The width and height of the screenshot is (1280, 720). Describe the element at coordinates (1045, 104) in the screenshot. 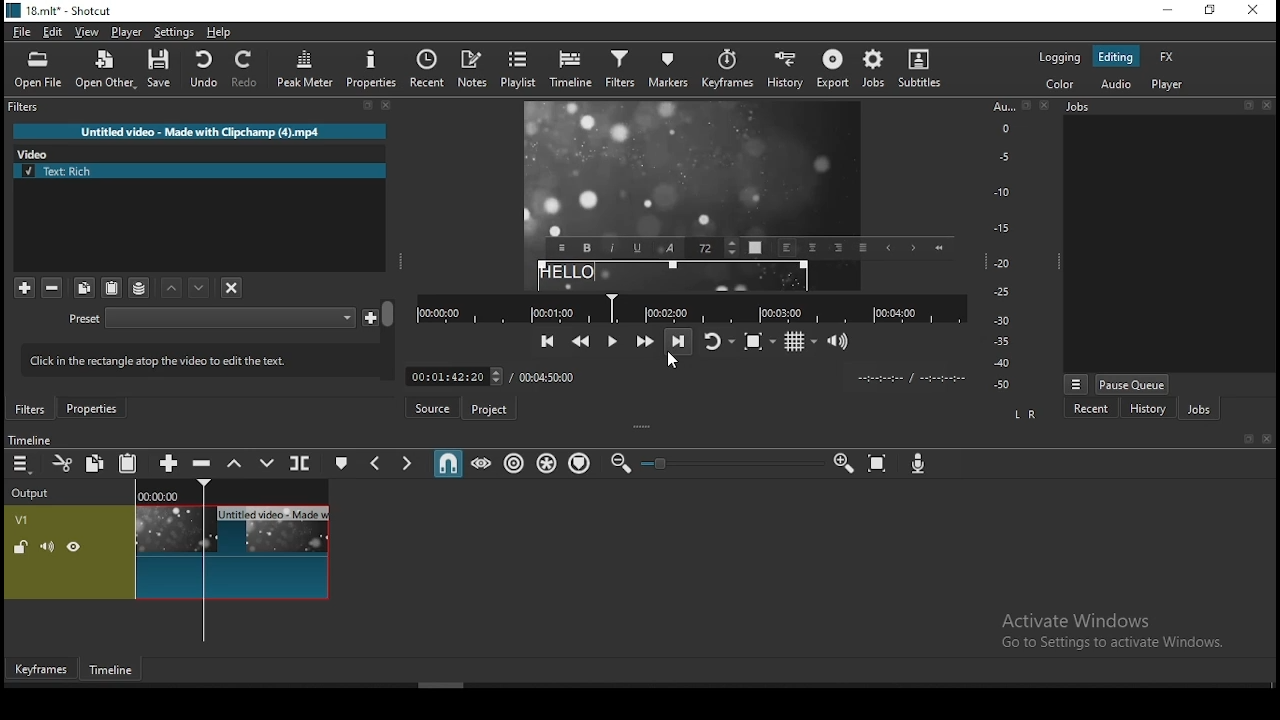

I see `Close` at that location.